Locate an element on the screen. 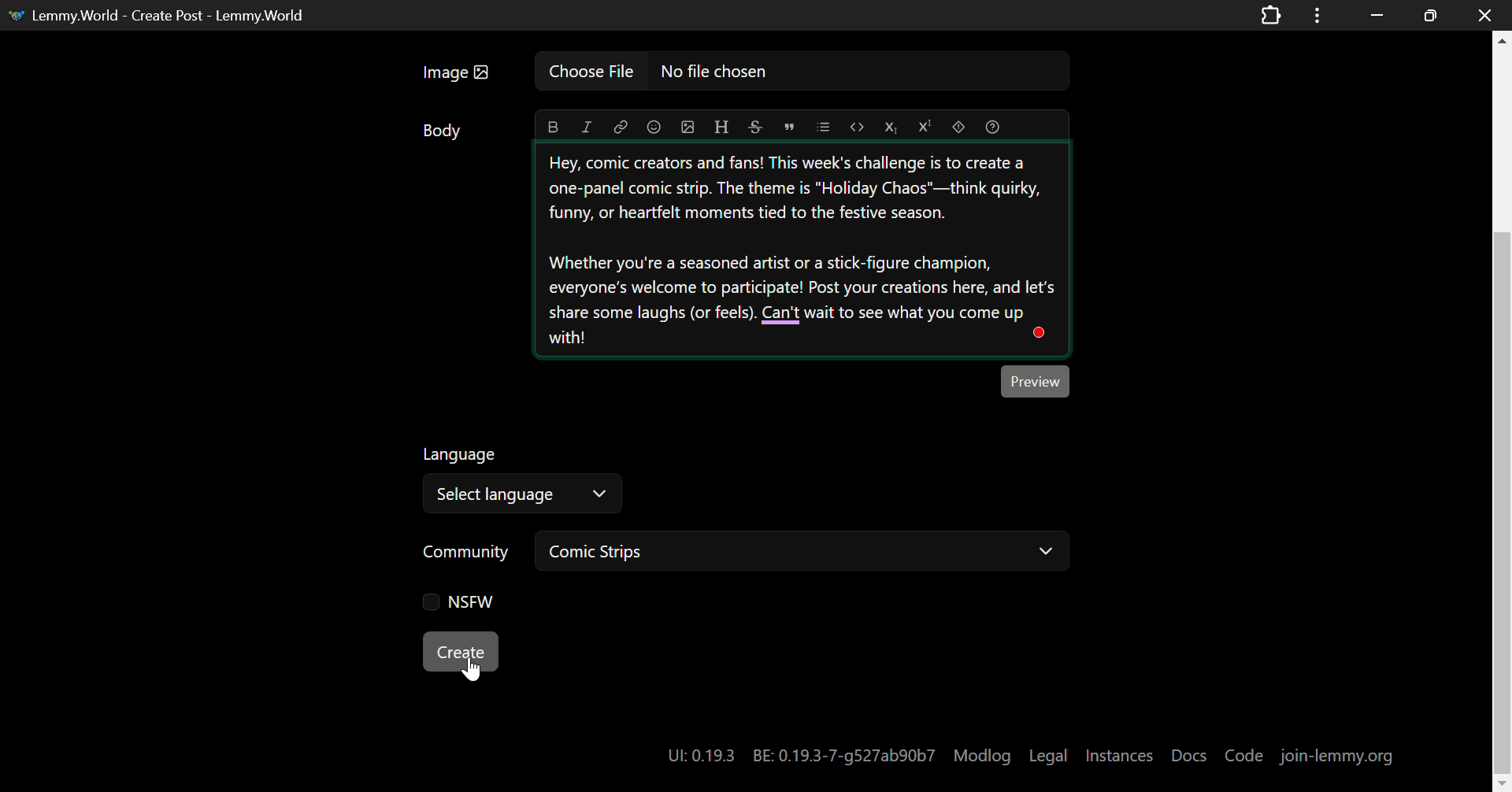 This screenshot has height=792, width=1512. Cursor Position is located at coordinates (471, 663).